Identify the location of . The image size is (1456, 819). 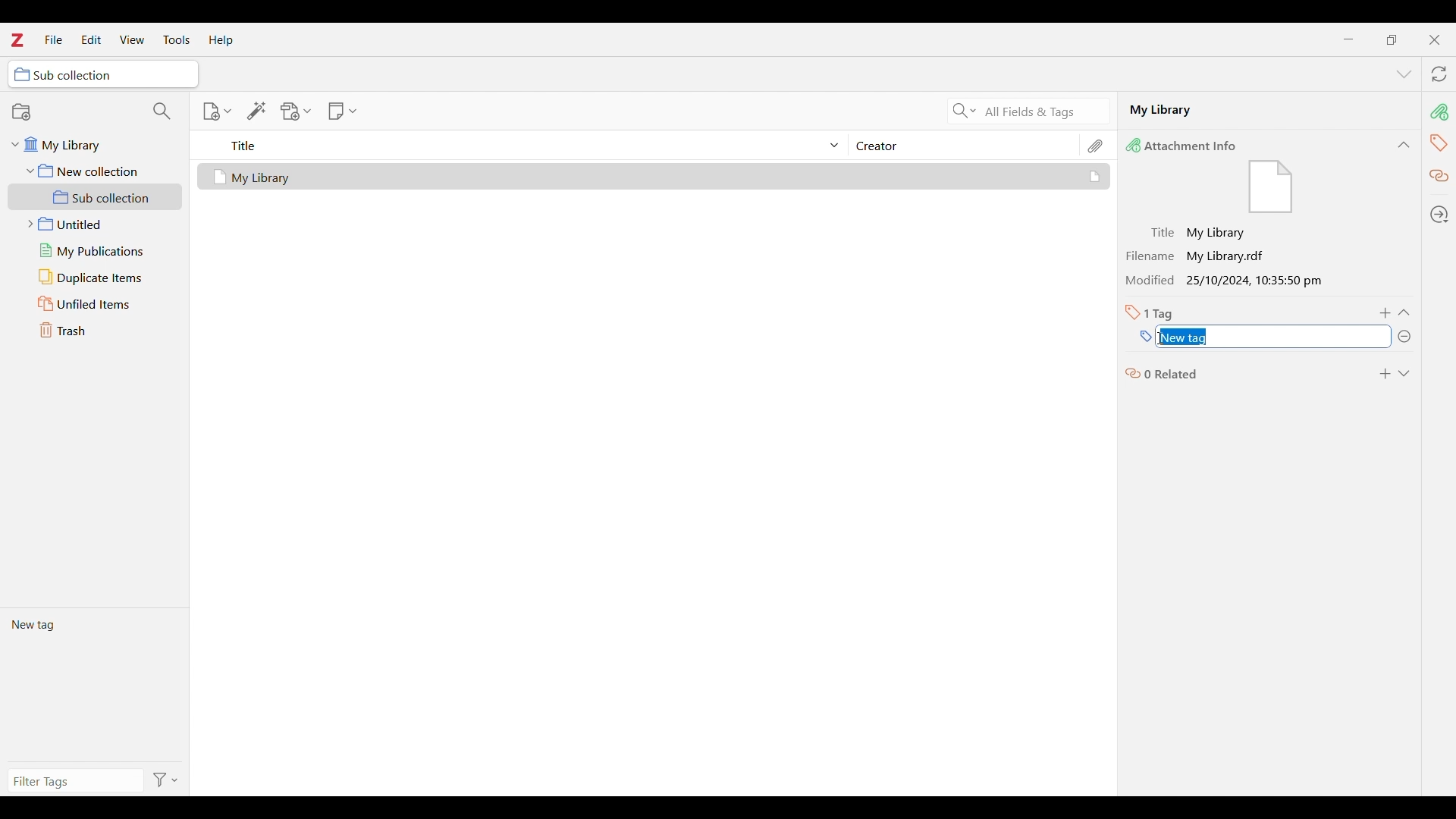
(1271, 188).